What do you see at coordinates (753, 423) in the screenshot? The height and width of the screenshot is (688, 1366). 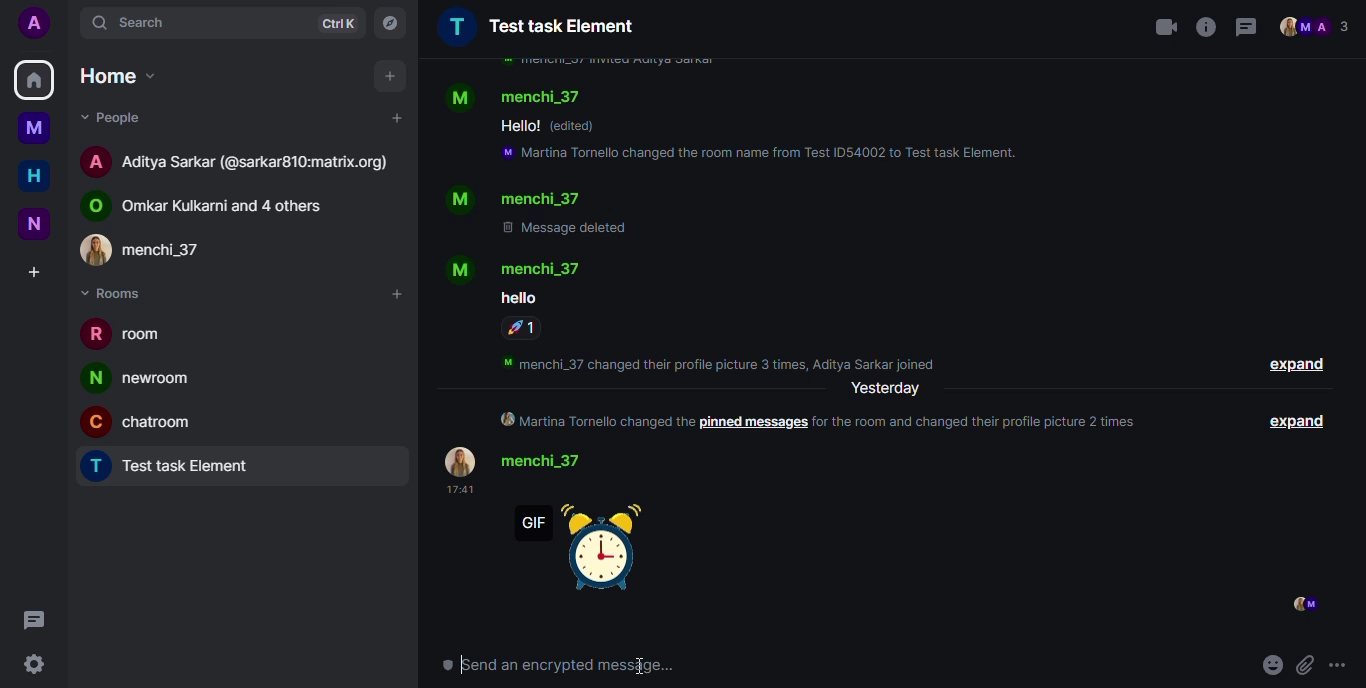 I see `pinned message` at bounding box center [753, 423].